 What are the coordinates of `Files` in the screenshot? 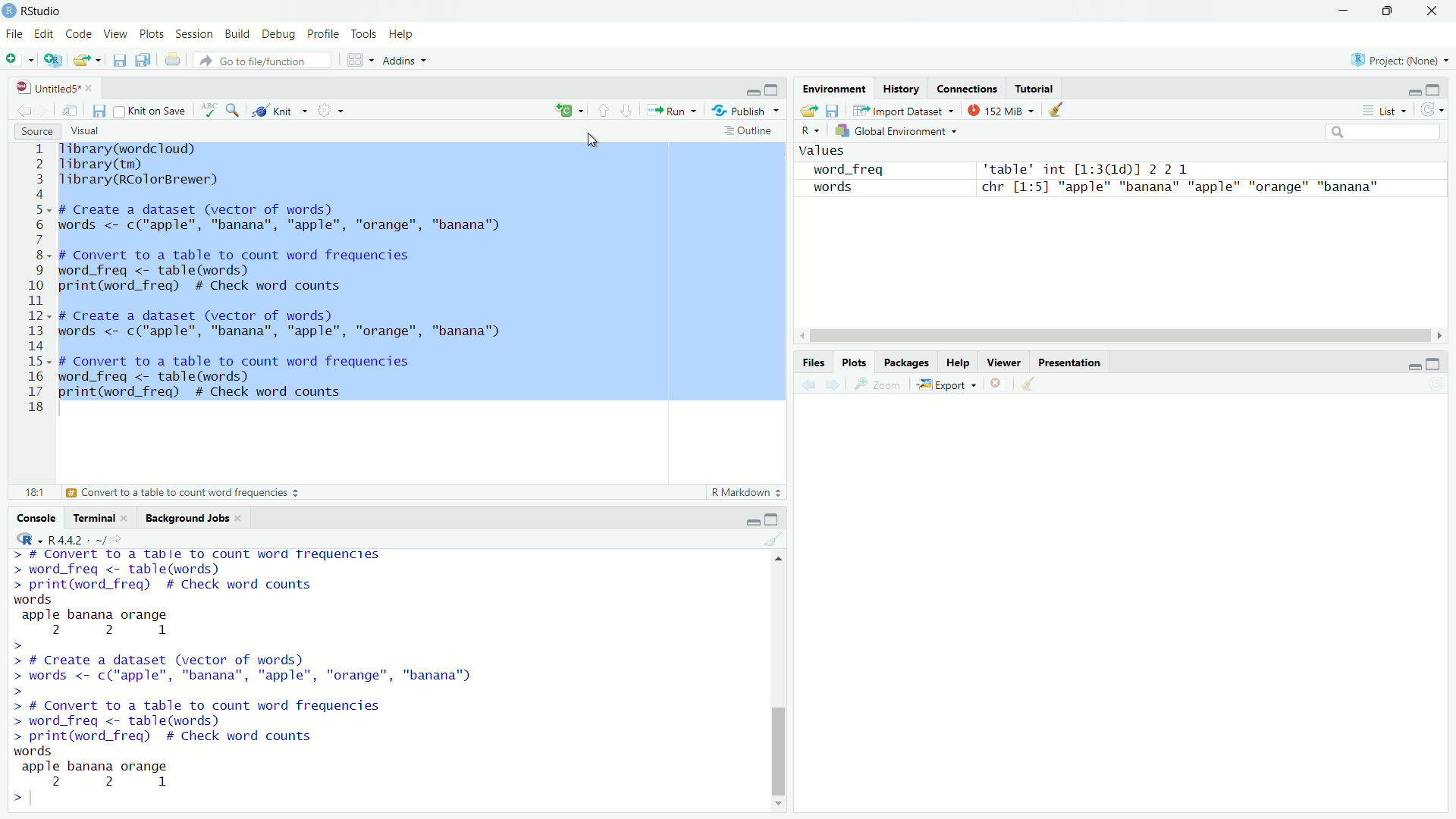 It's located at (819, 363).